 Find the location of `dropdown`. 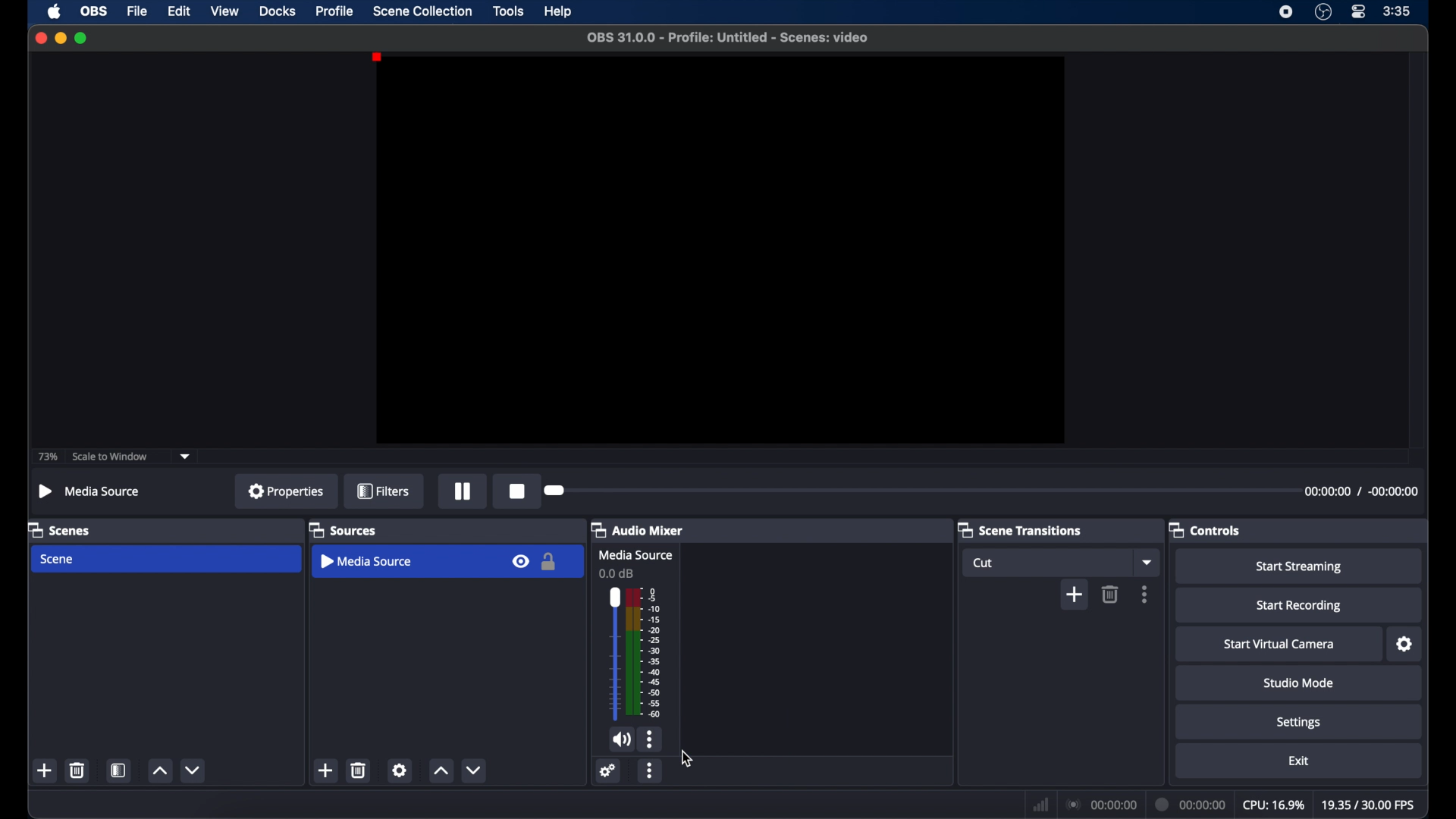

dropdown is located at coordinates (1147, 561).